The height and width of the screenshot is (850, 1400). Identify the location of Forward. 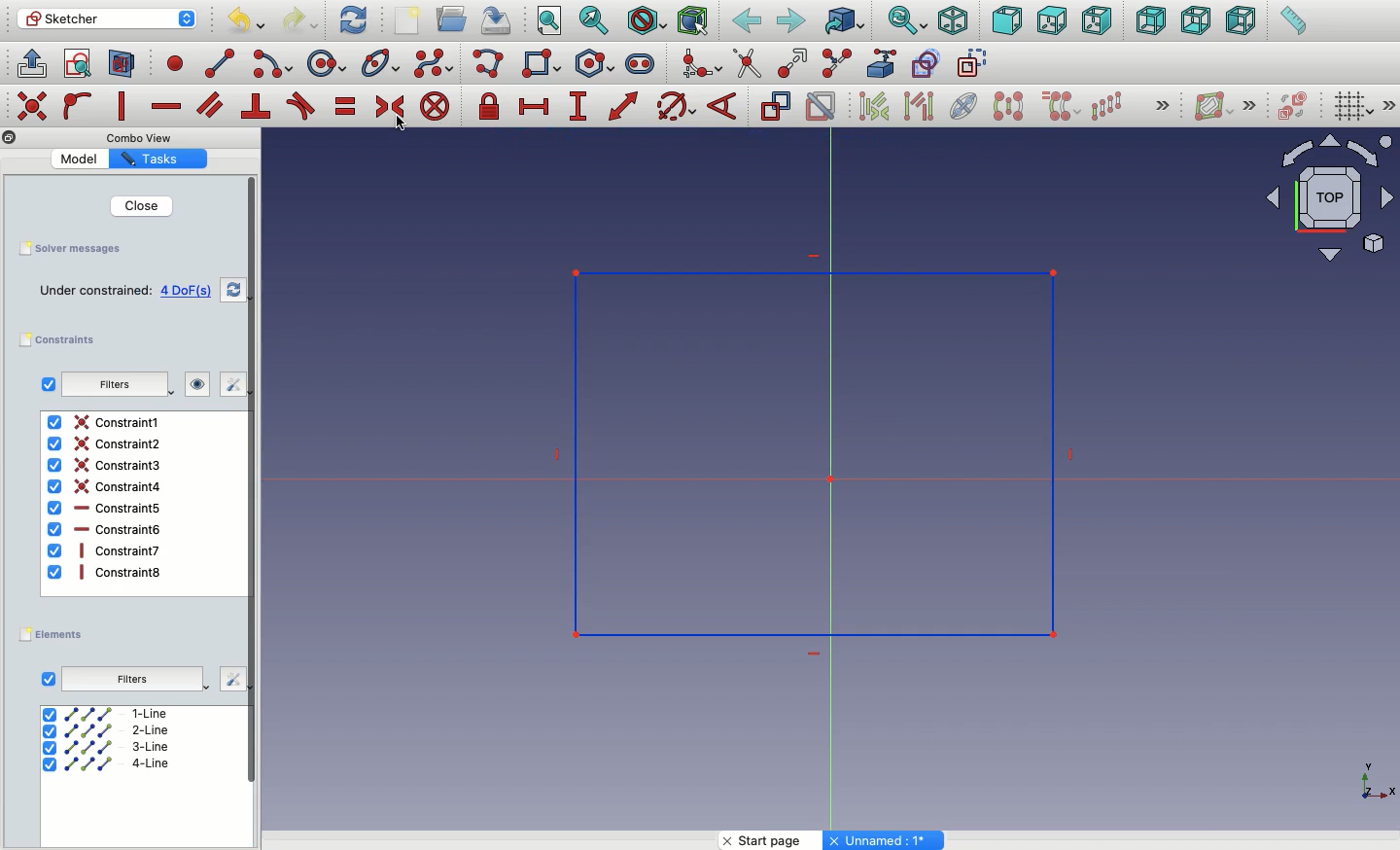
(791, 20).